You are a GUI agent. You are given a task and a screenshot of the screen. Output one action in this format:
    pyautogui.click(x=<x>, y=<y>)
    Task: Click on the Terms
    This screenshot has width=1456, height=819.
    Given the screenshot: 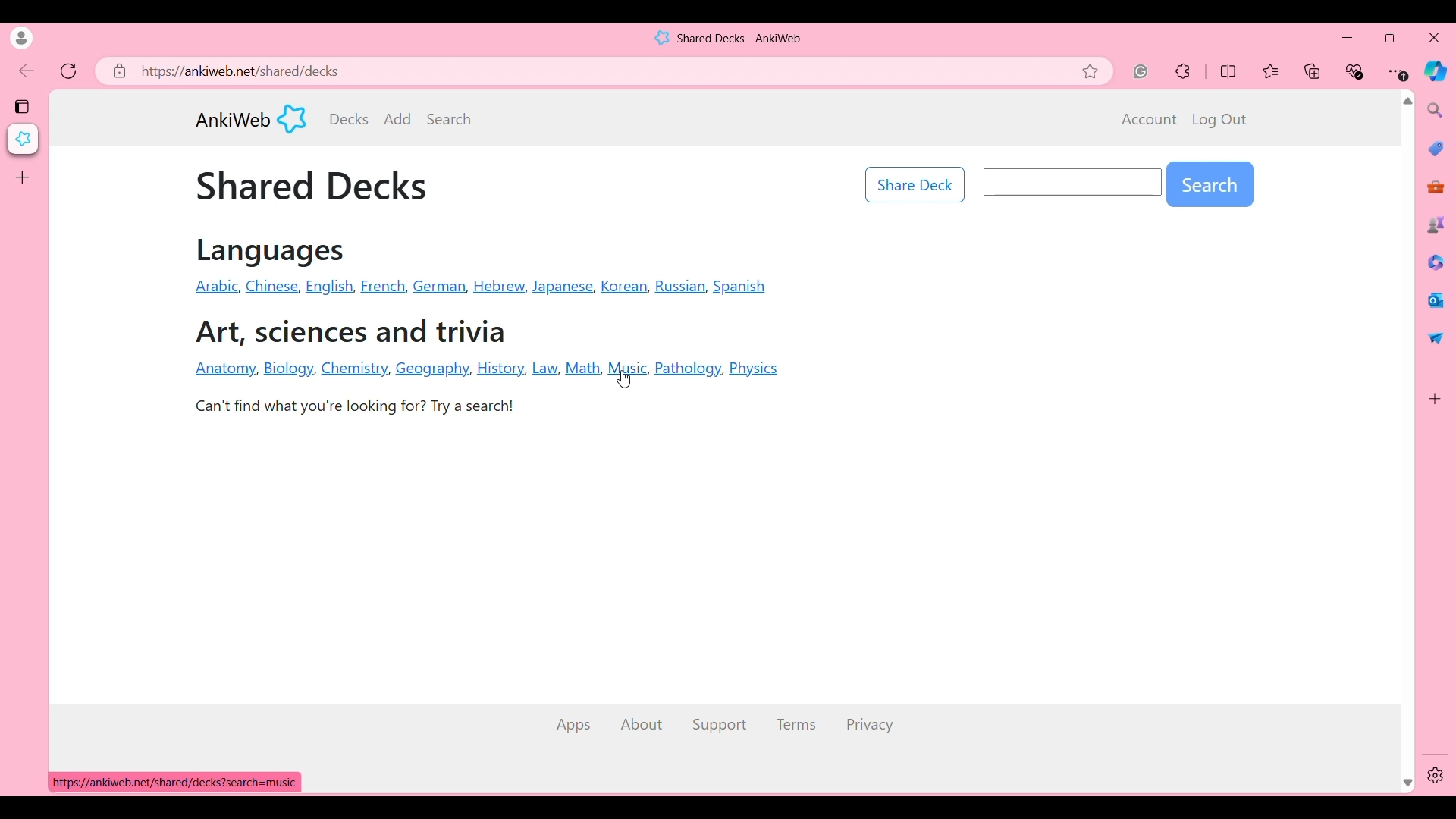 What is the action you would take?
    pyautogui.click(x=798, y=723)
    